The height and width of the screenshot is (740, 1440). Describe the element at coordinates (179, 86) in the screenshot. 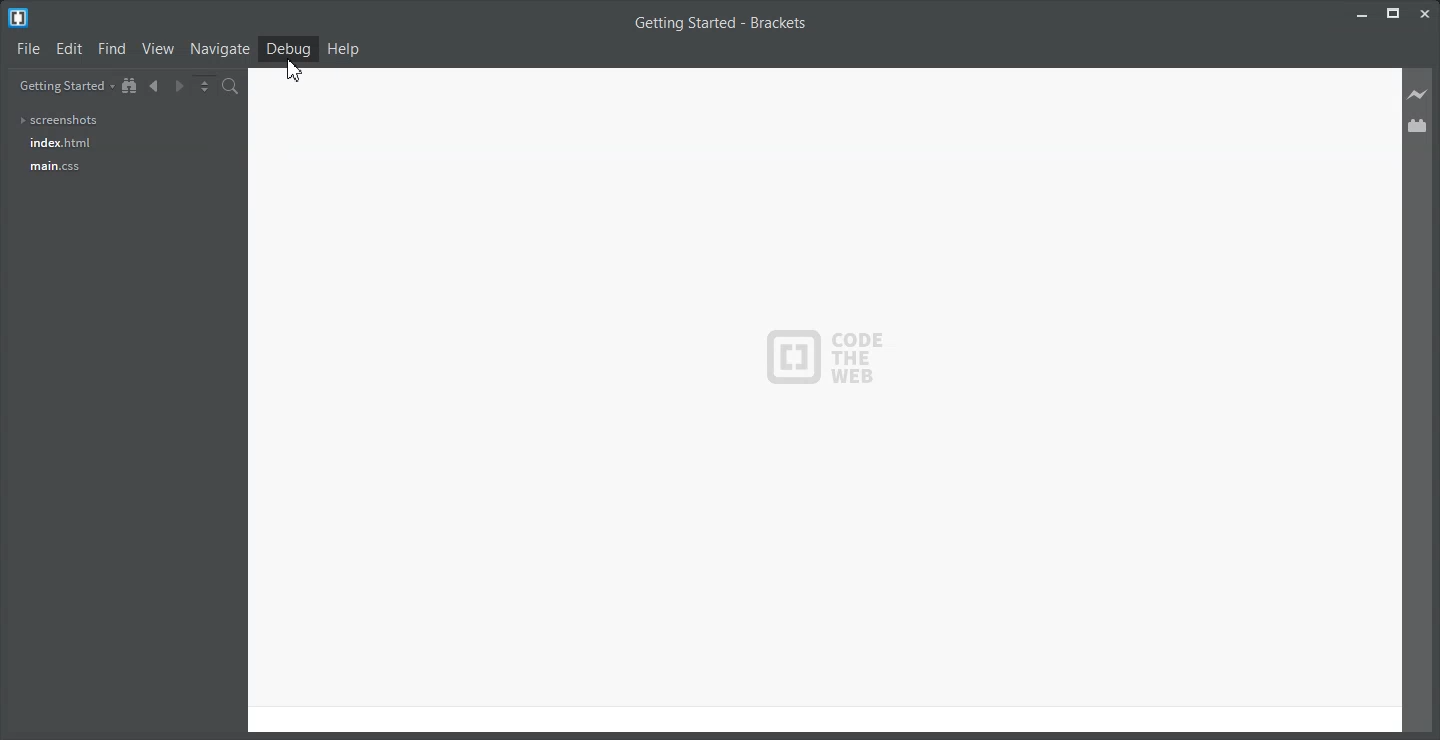

I see `Navigate Forward` at that location.